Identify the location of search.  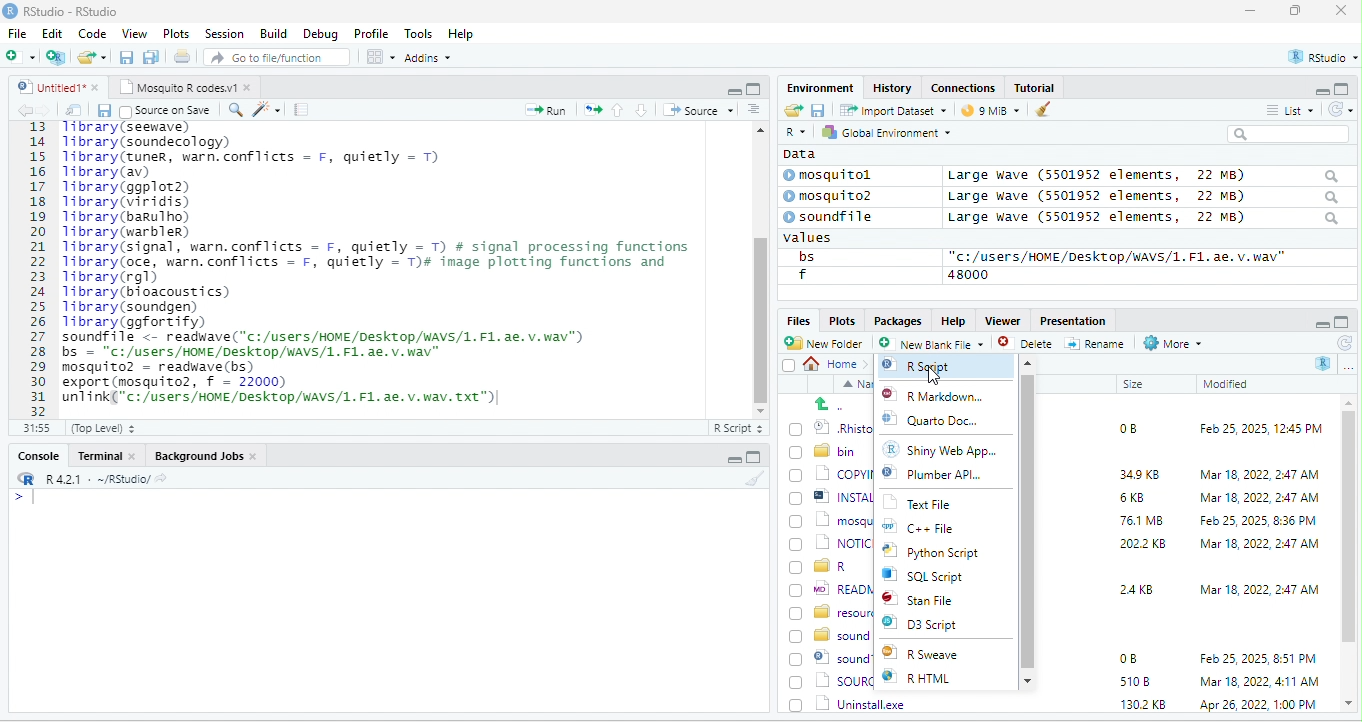
(235, 108).